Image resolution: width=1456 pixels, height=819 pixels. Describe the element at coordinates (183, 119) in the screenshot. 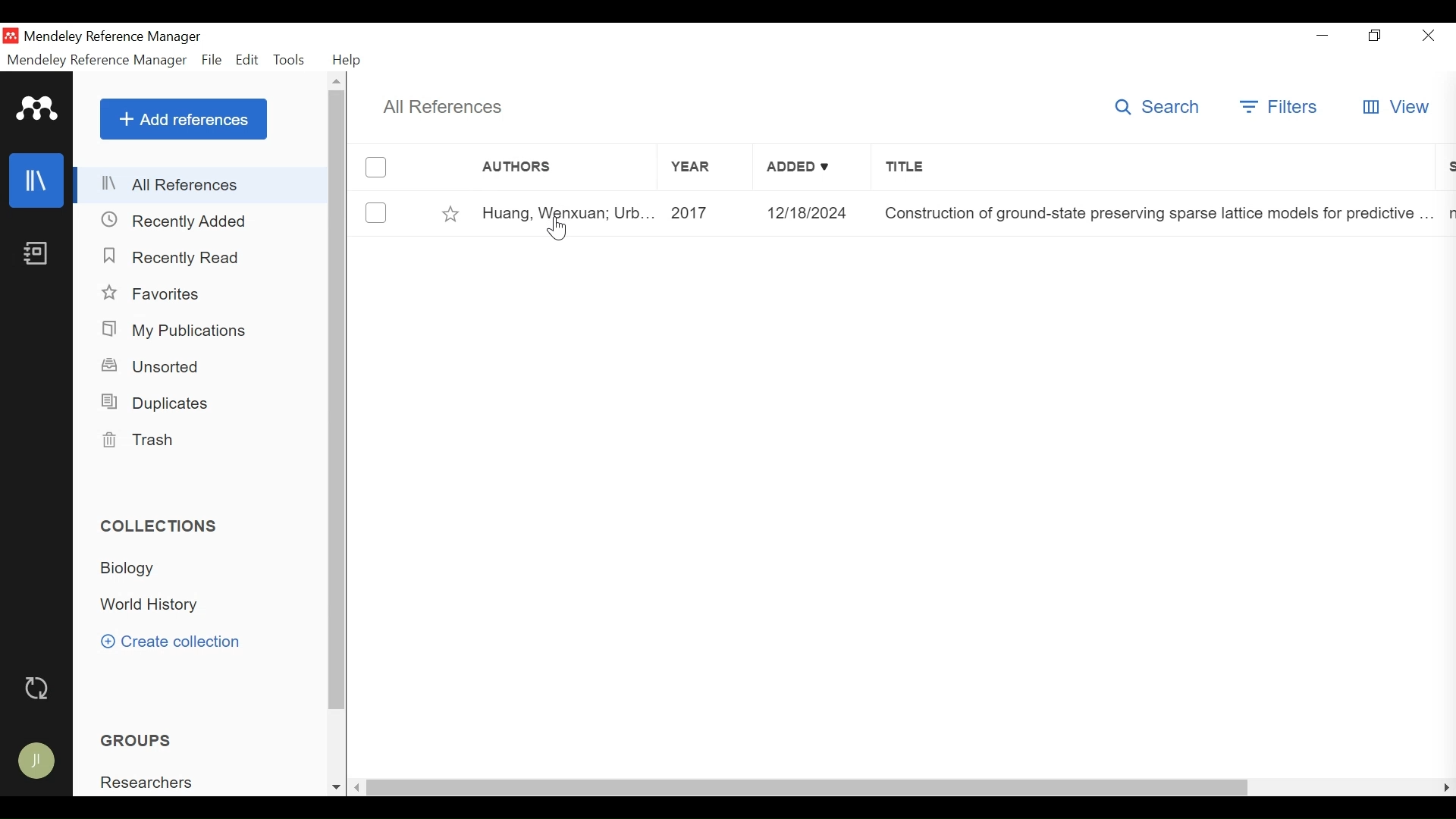

I see `Add Reference` at that location.